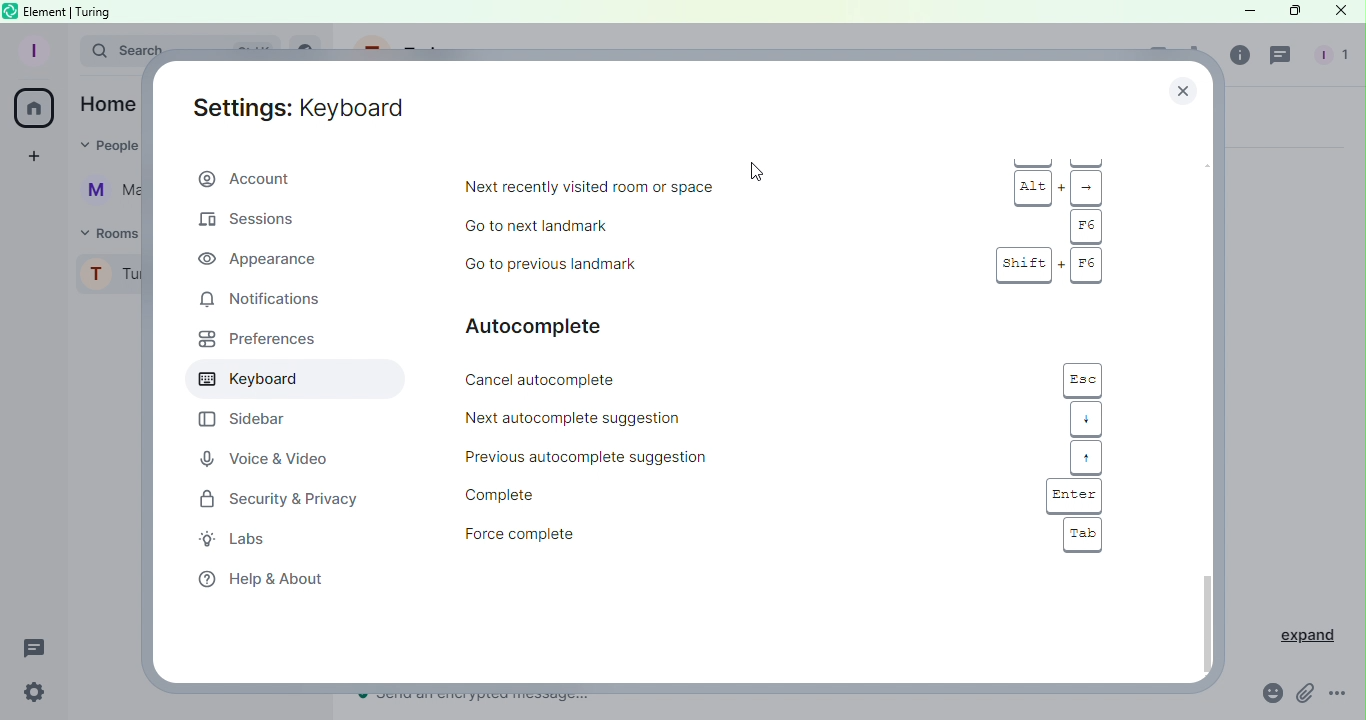 Image resolution: width=1366 pixels, height=720 pixels. Describe the element at coordinates (38, 650) in the screenshot. I see `Threads` at that location.